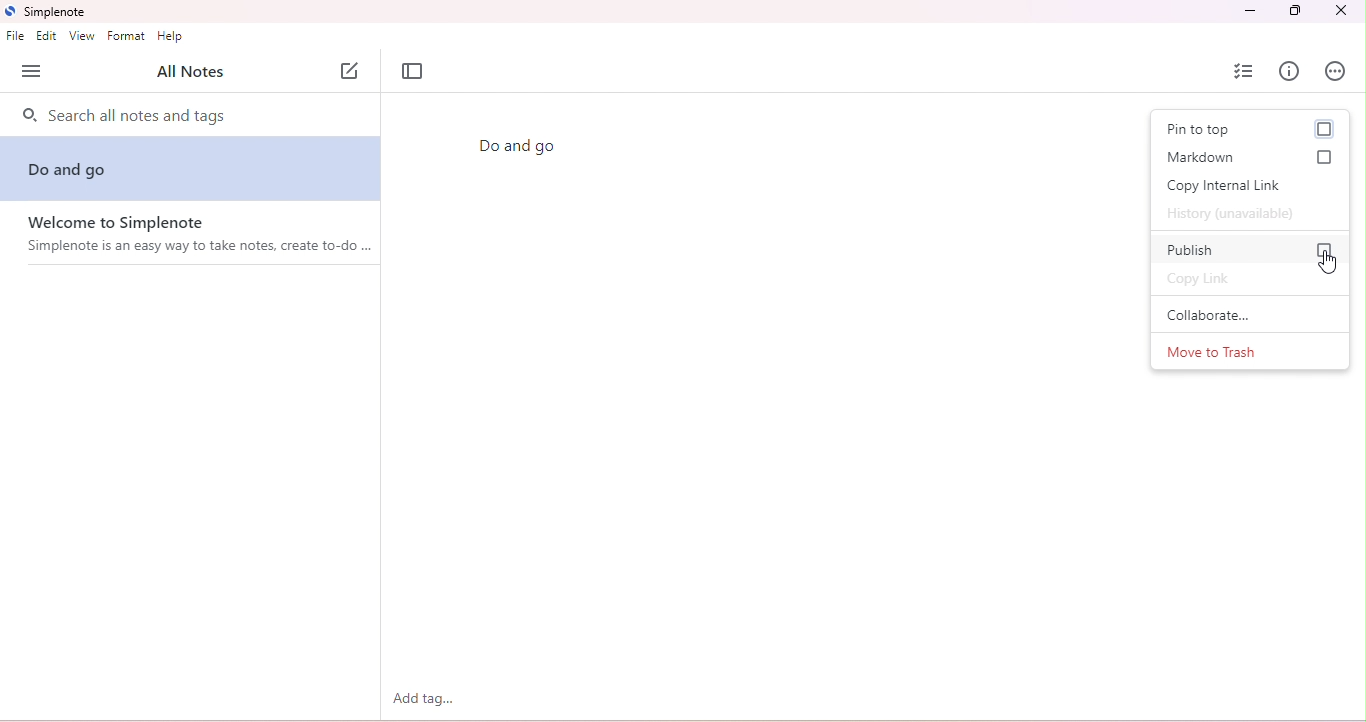 The width and height of the screenshot is (1366, 722). What do you see at coordinates (15, 38) in the screenshot?
I see `file` at bounding box center [15, 38].